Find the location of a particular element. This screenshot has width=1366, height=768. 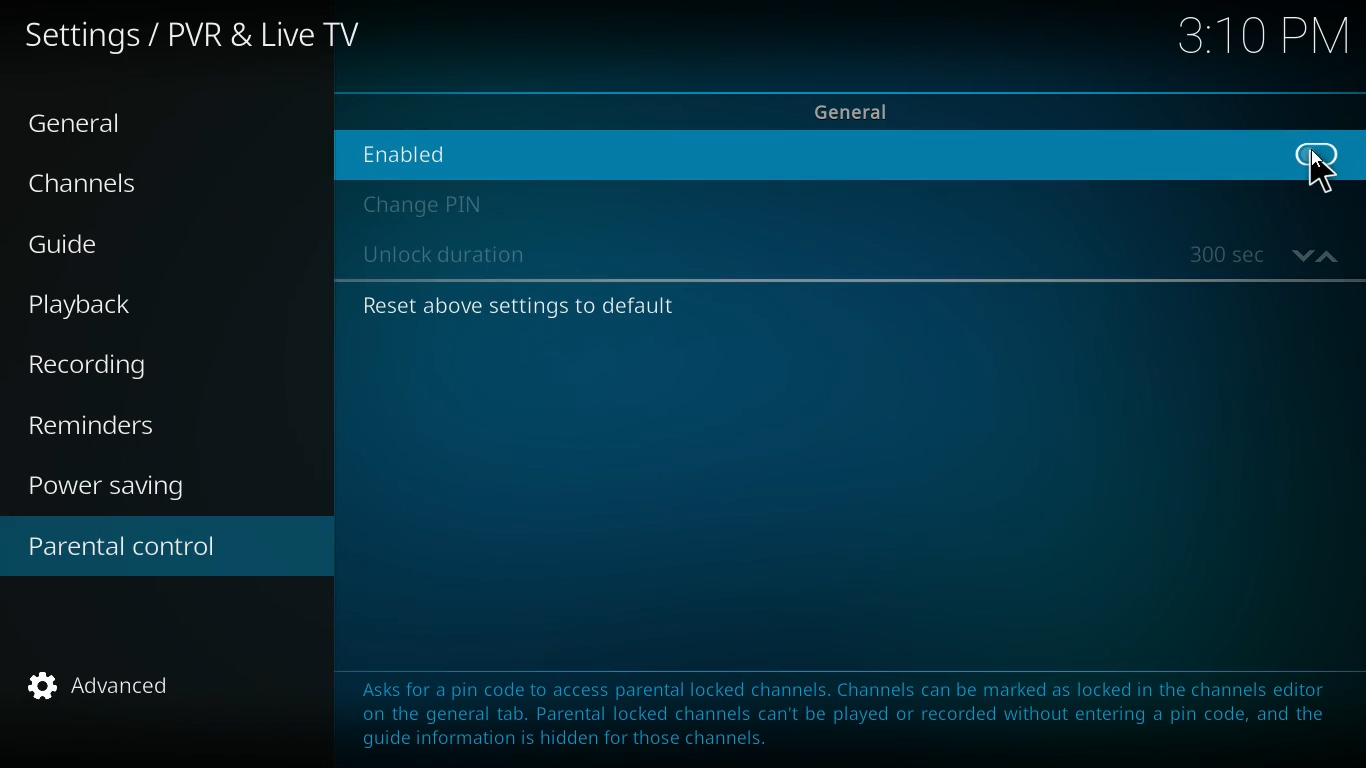

general is located at coordinates (868, 109).